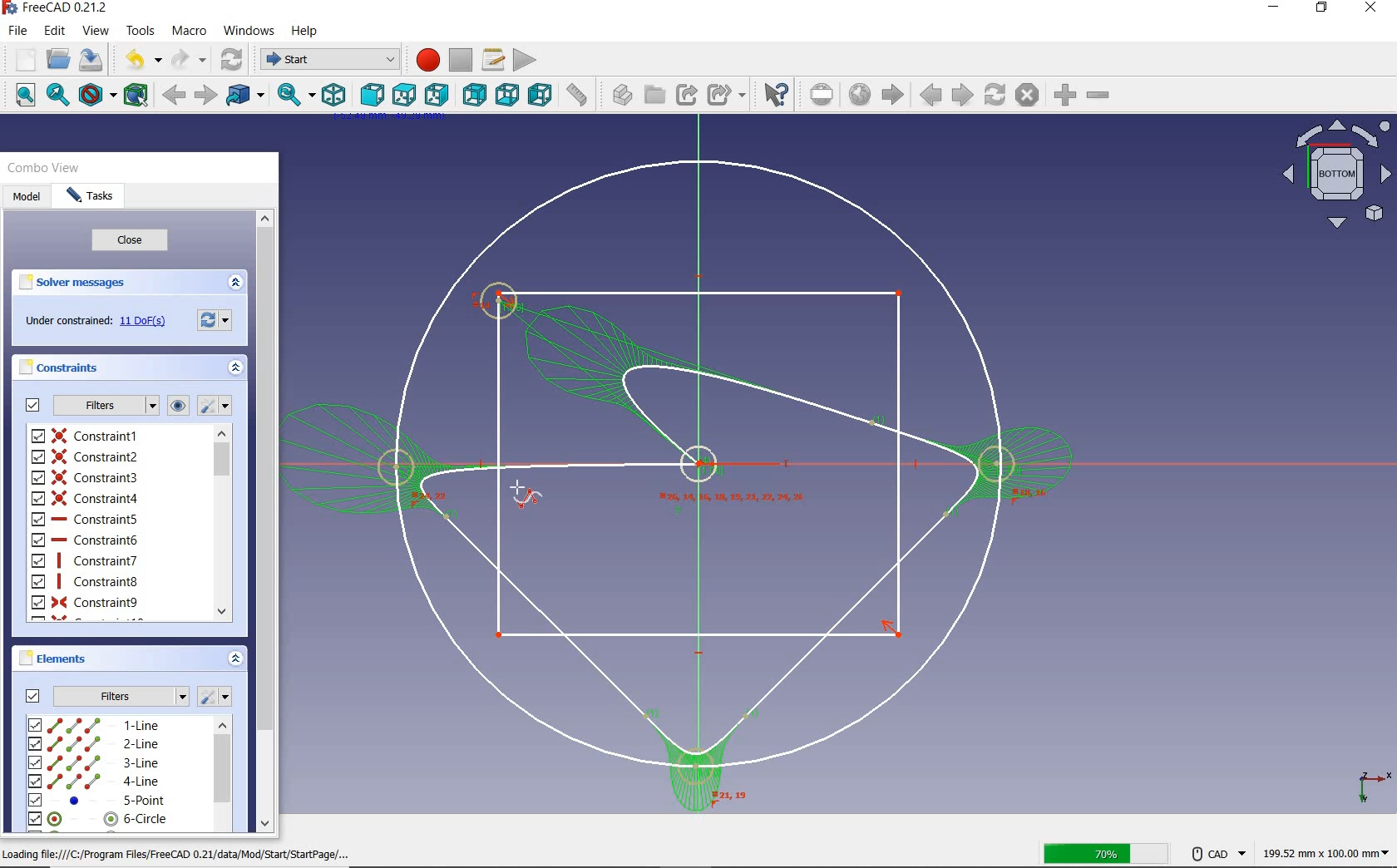  Describe the element at coordinates (1368, 784) in the screenshot. I see `xyz plane` at that location.